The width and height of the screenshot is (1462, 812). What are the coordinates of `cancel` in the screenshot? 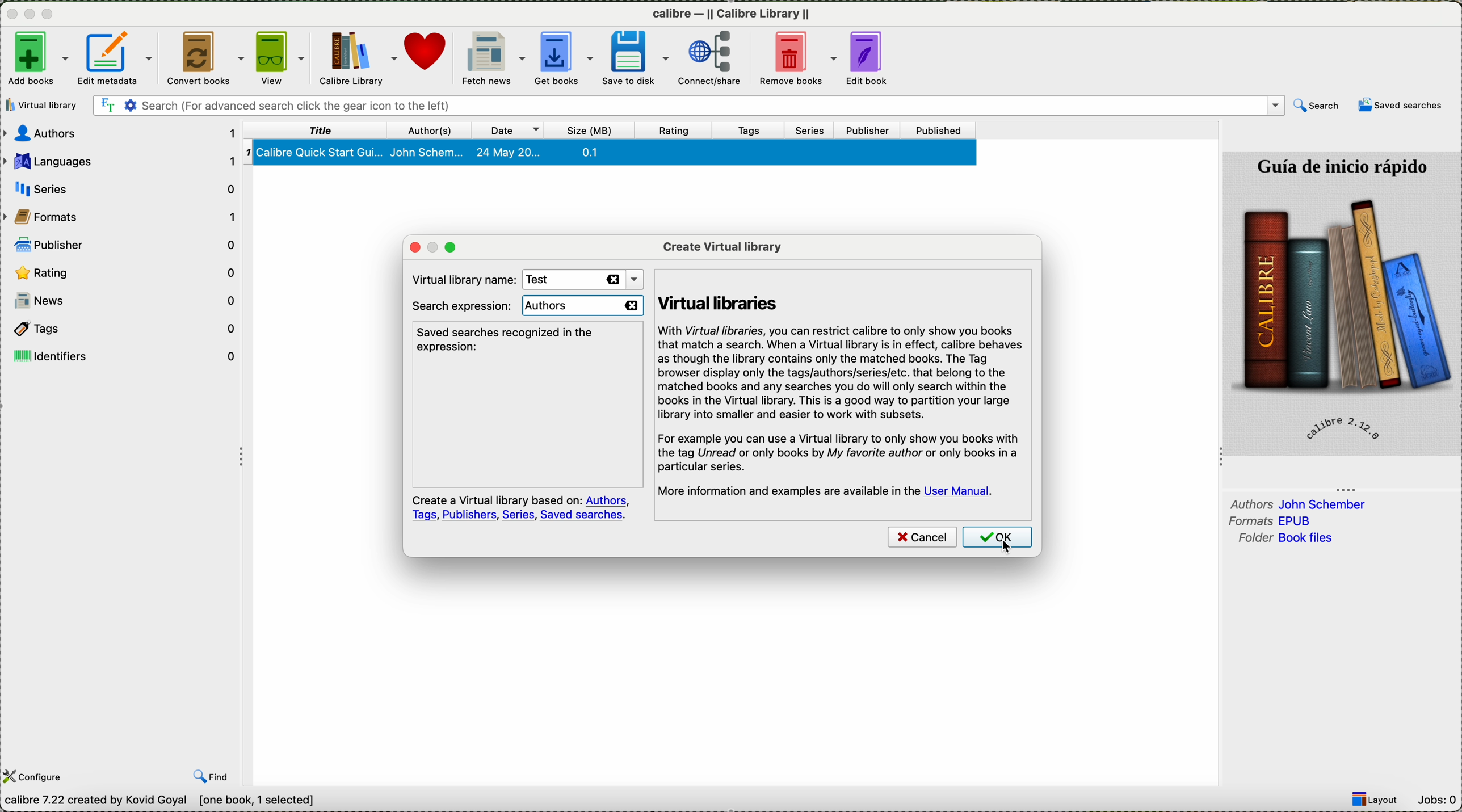 It's located at (922, 538).